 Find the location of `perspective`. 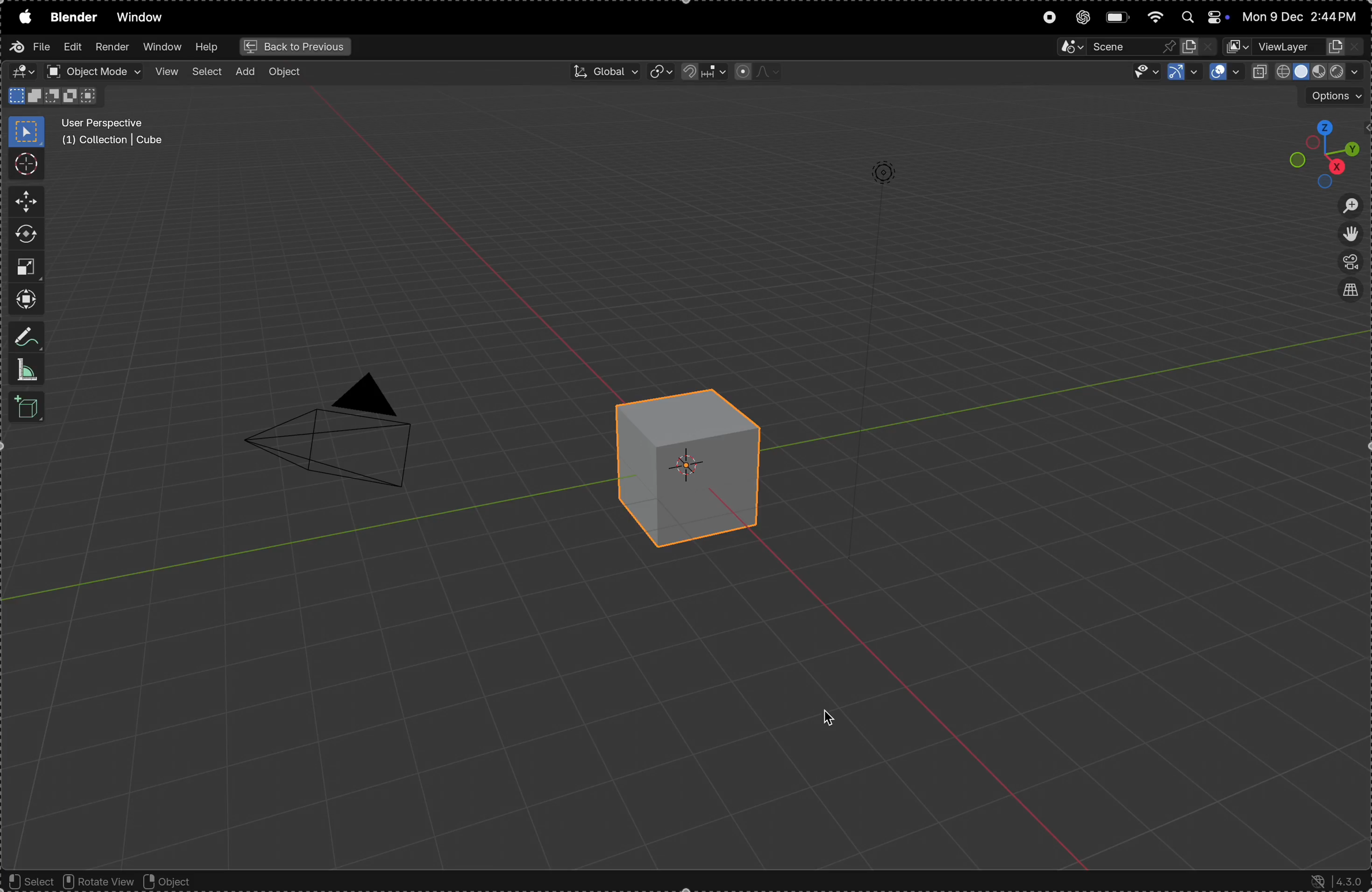

perspective is located at coordinates (1353, 263).